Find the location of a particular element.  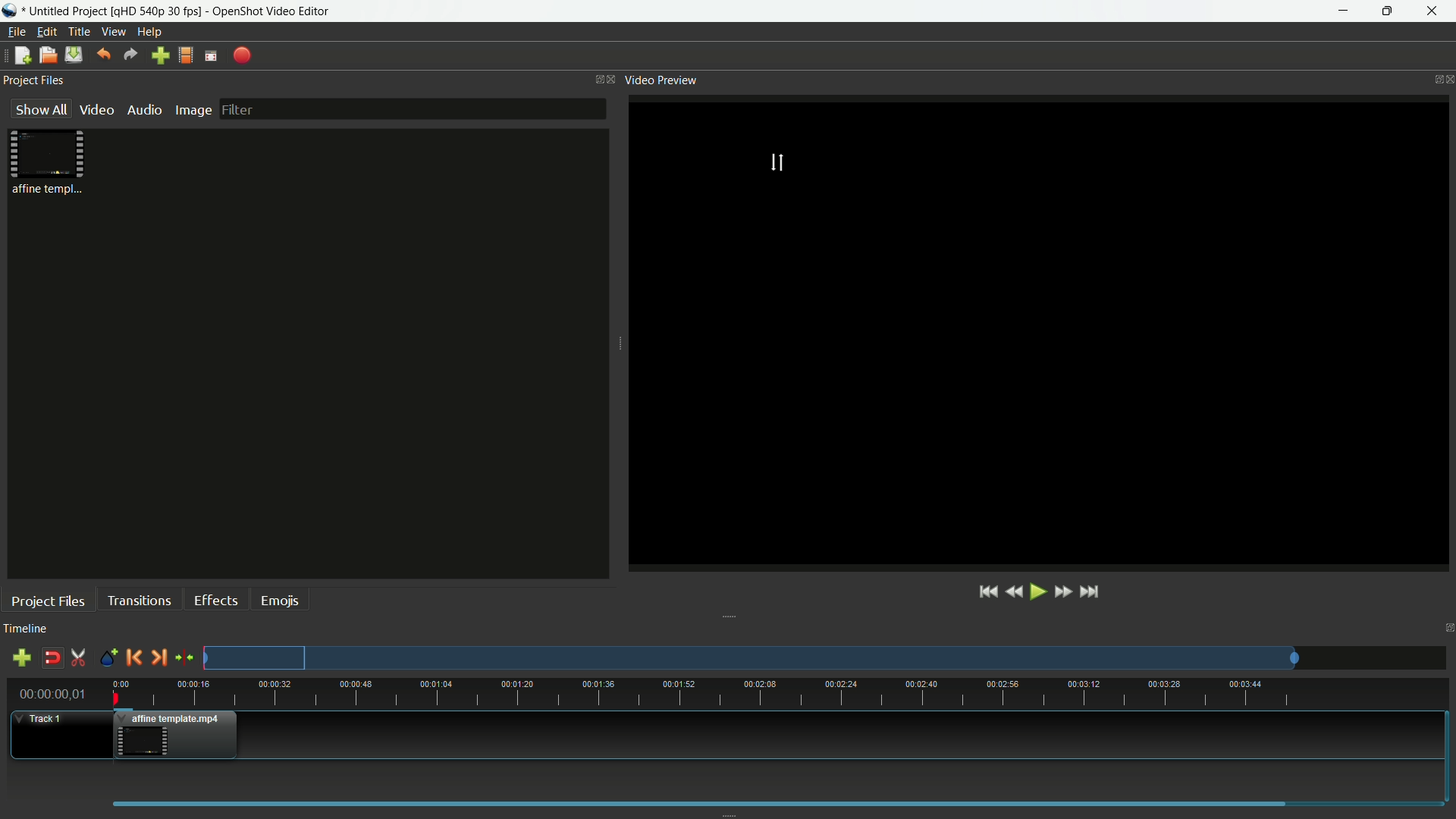

play or pause is located at coordinates (1036, 592).